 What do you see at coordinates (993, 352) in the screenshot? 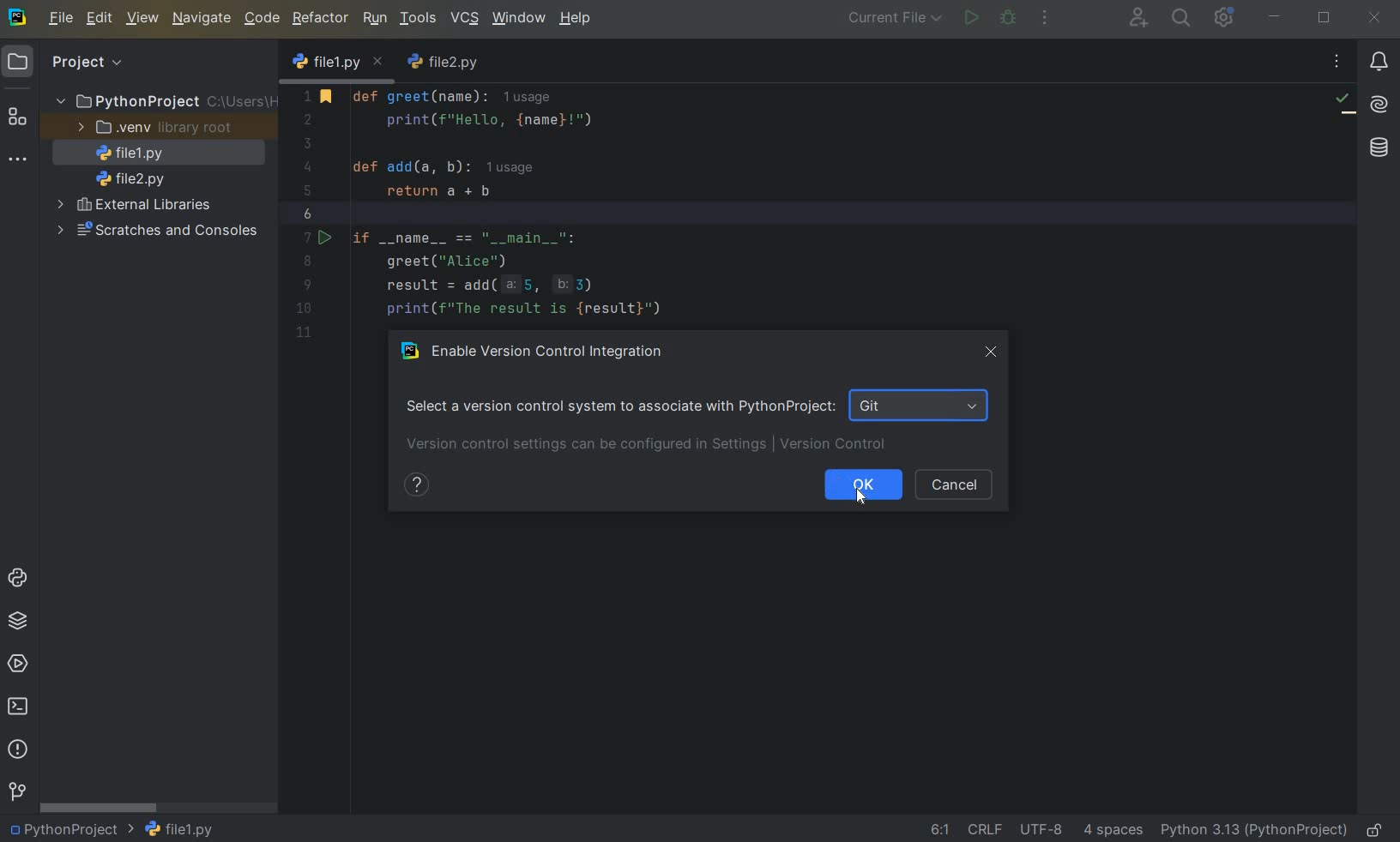
I see `close` at bounding box center [993, 352].